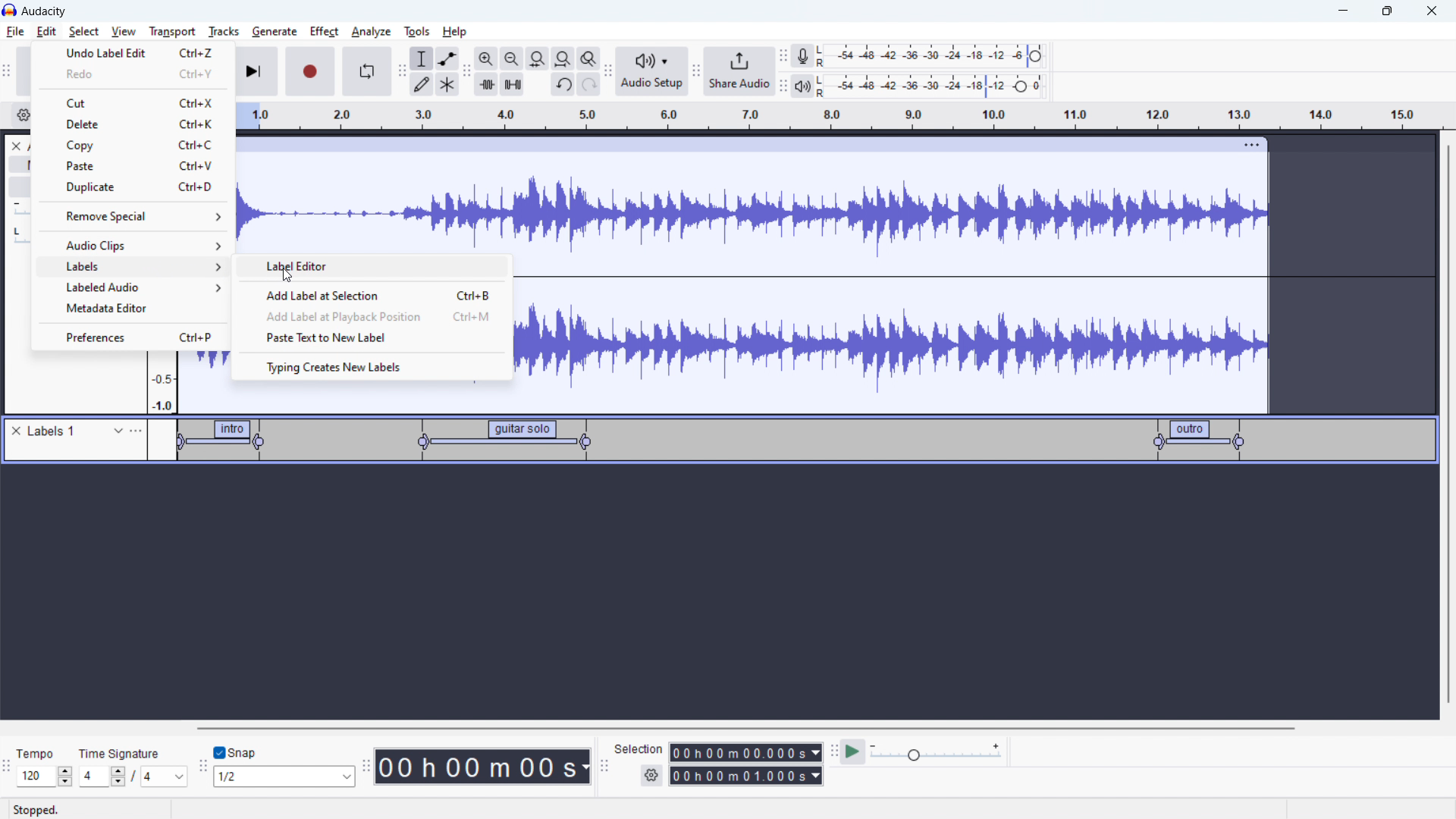  I want to click on Remove Special, so click(123, 218).